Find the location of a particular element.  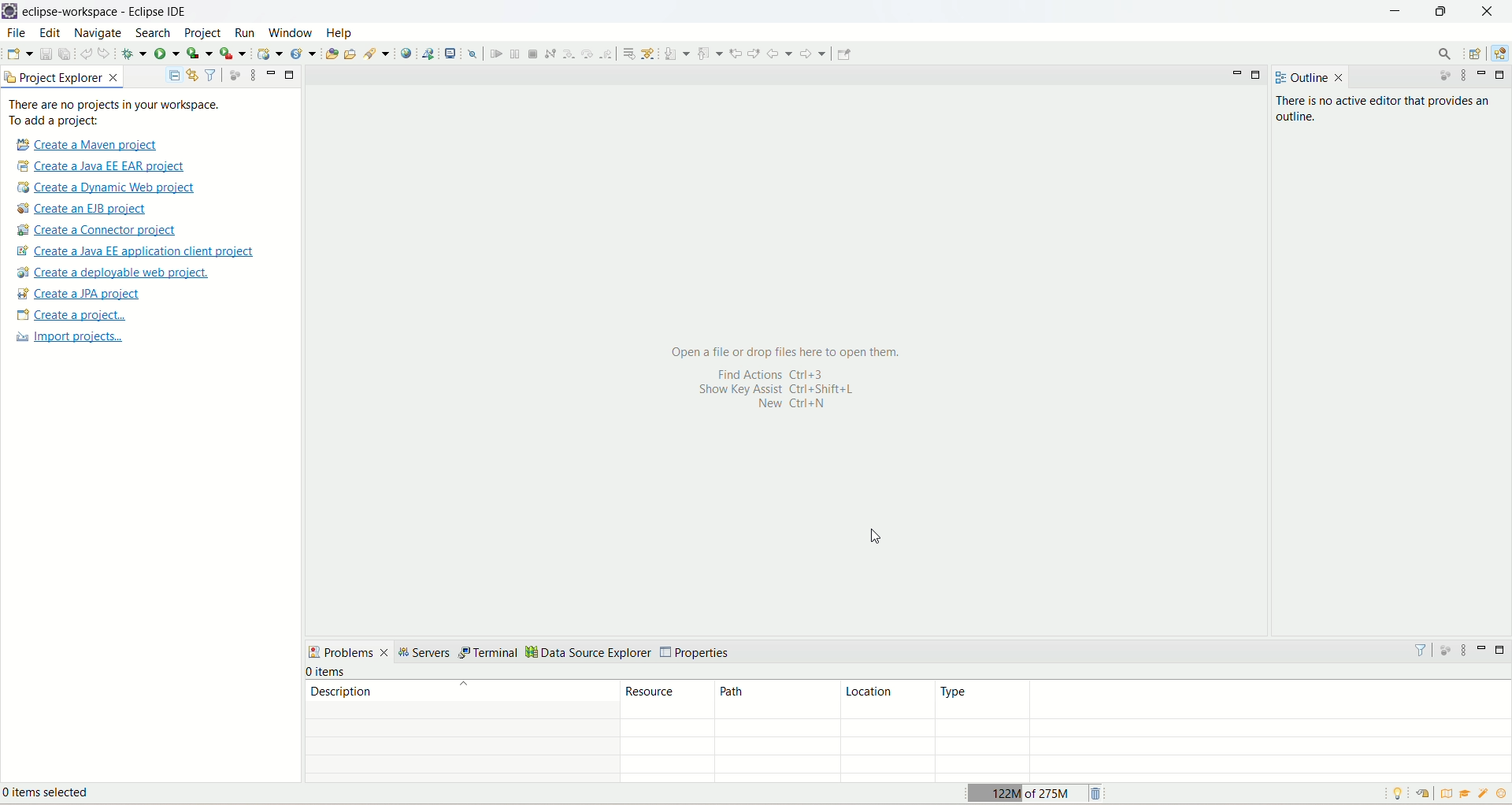

New ctrl+N is located at coordinates (784, 406).